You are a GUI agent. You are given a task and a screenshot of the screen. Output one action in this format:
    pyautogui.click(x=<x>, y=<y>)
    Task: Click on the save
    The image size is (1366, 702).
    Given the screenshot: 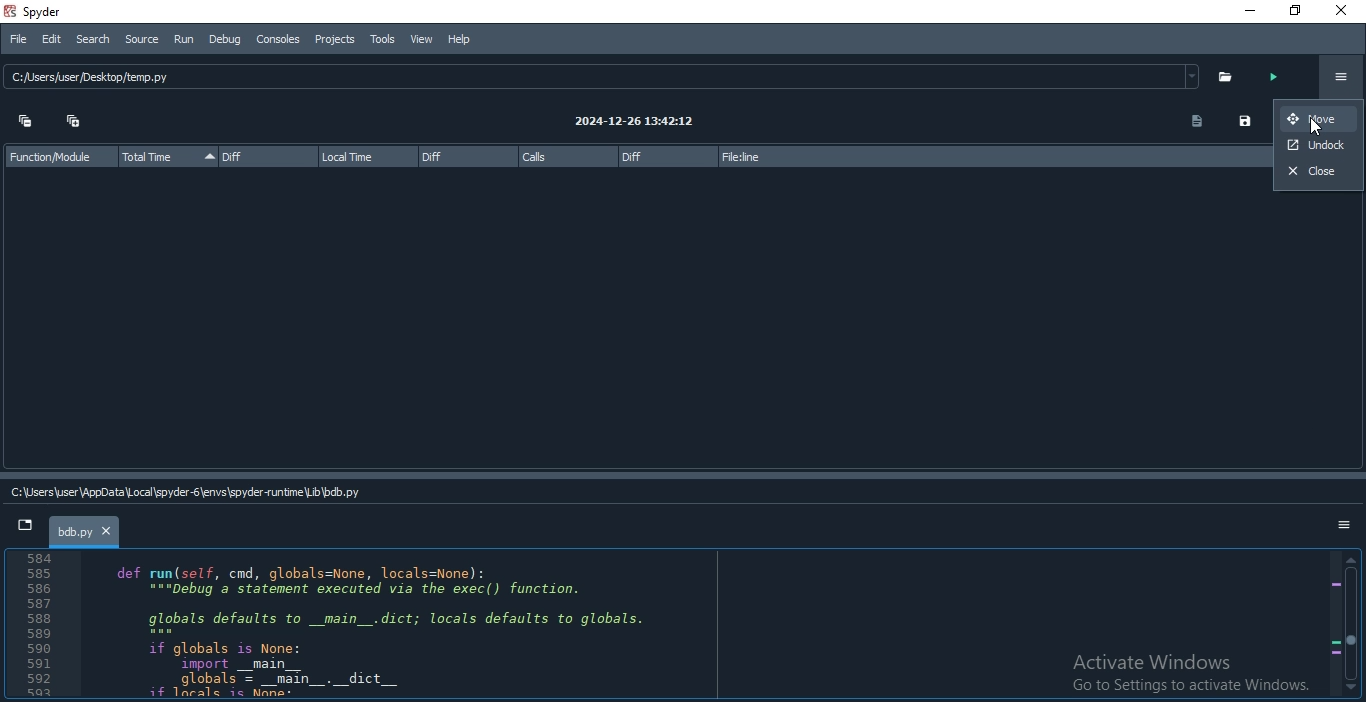 What is the action you would take?
    pyautogui.click(x=1243, y=121)
    